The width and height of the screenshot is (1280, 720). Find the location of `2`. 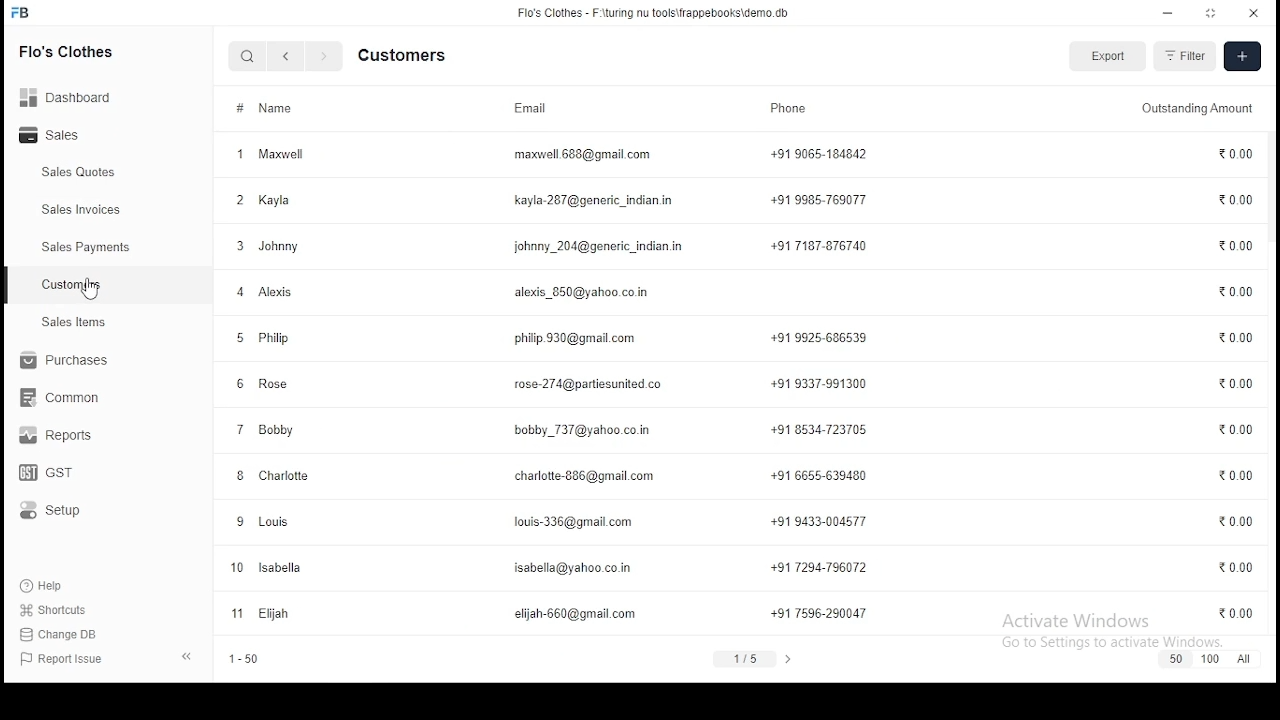

2 is located at coordinates (239, 200).